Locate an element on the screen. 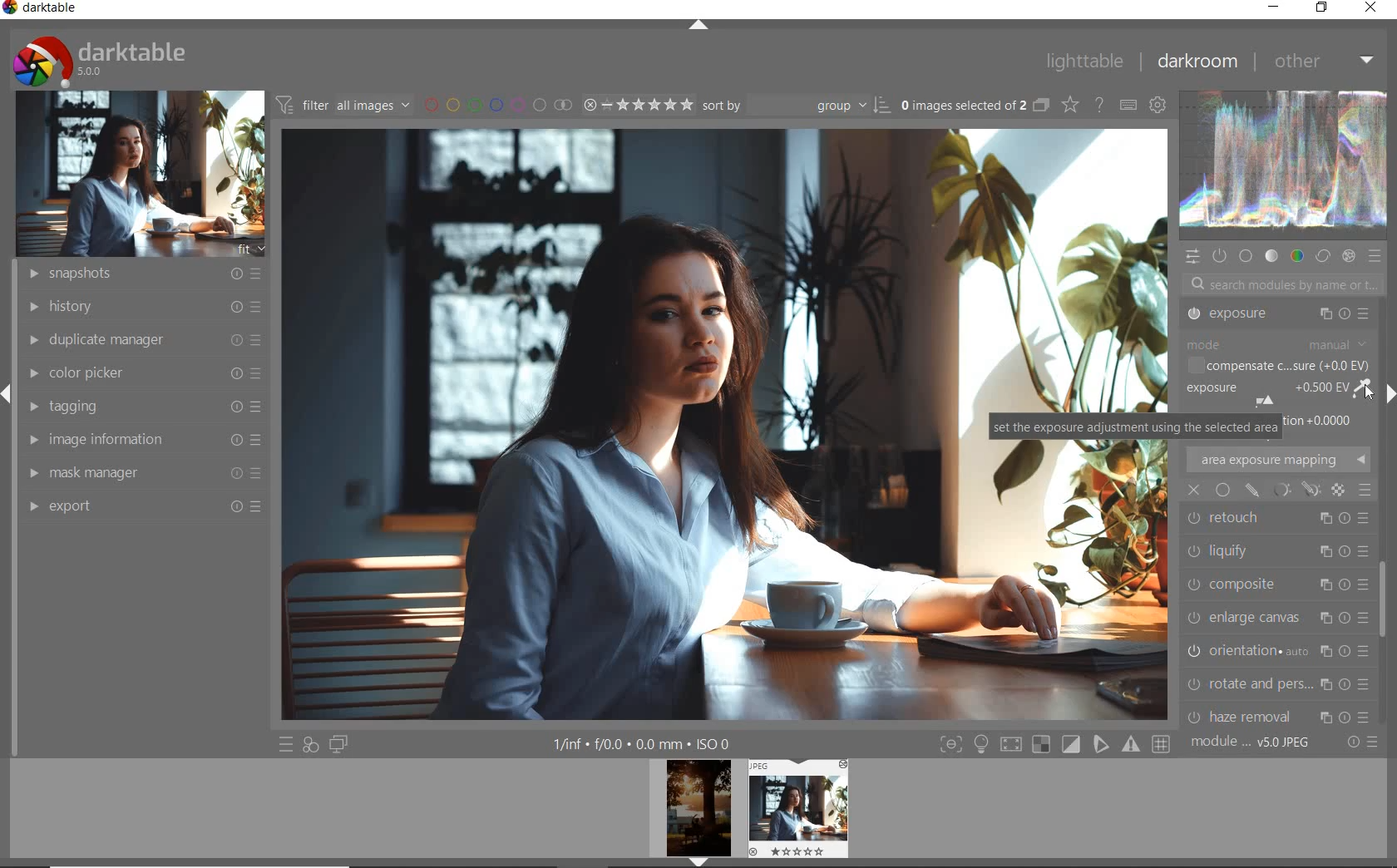 The width and height of the screenshot is (1397, 868). IMAGE INFORMATION is located at coordinates (141, 440).